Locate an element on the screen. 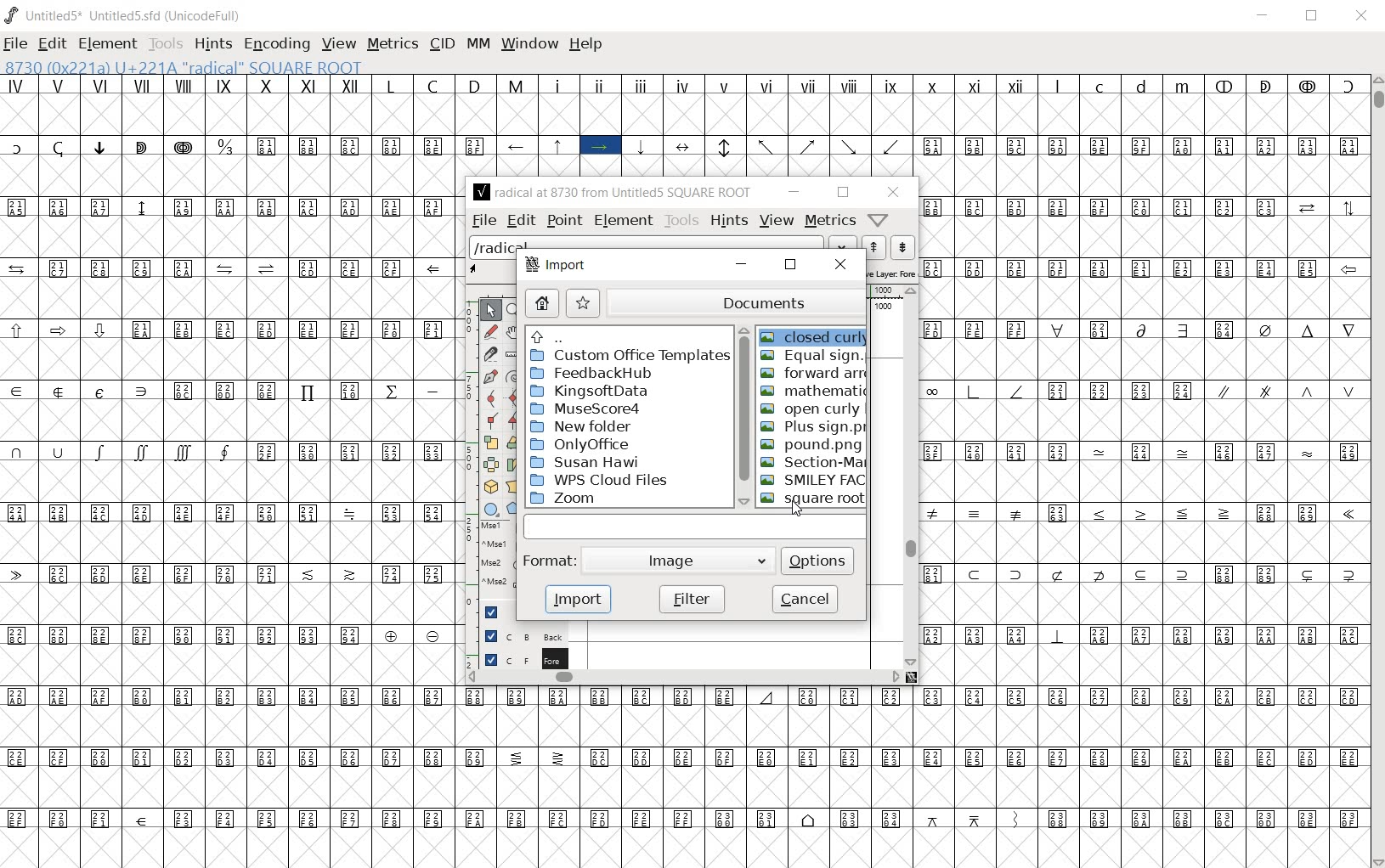 This screenshot has height=868, width=1385. scroll by hand is located at coordinates (513, 330).